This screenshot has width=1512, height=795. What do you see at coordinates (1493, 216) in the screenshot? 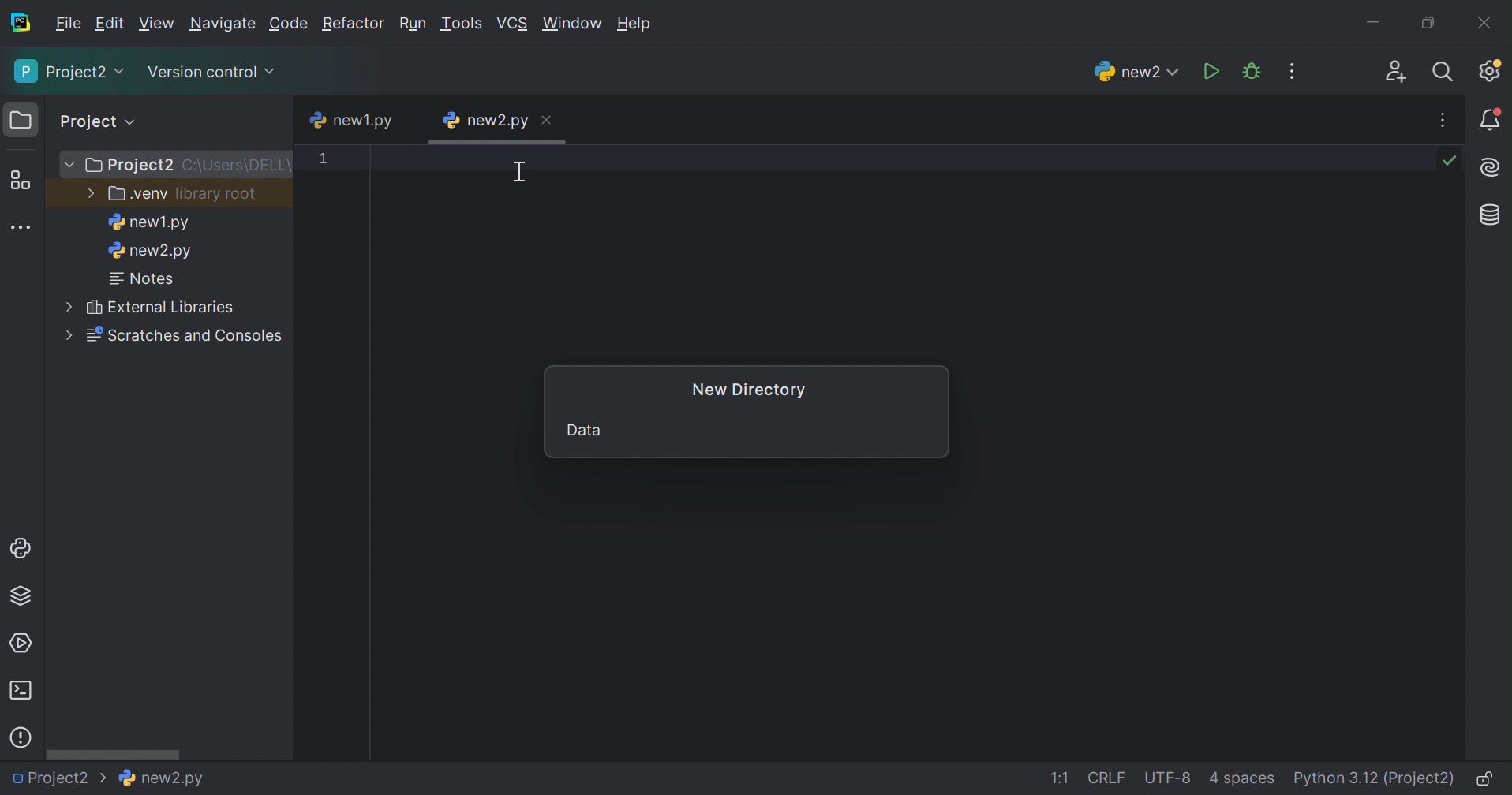
I see `Database` at bounding box center [1493, 216].